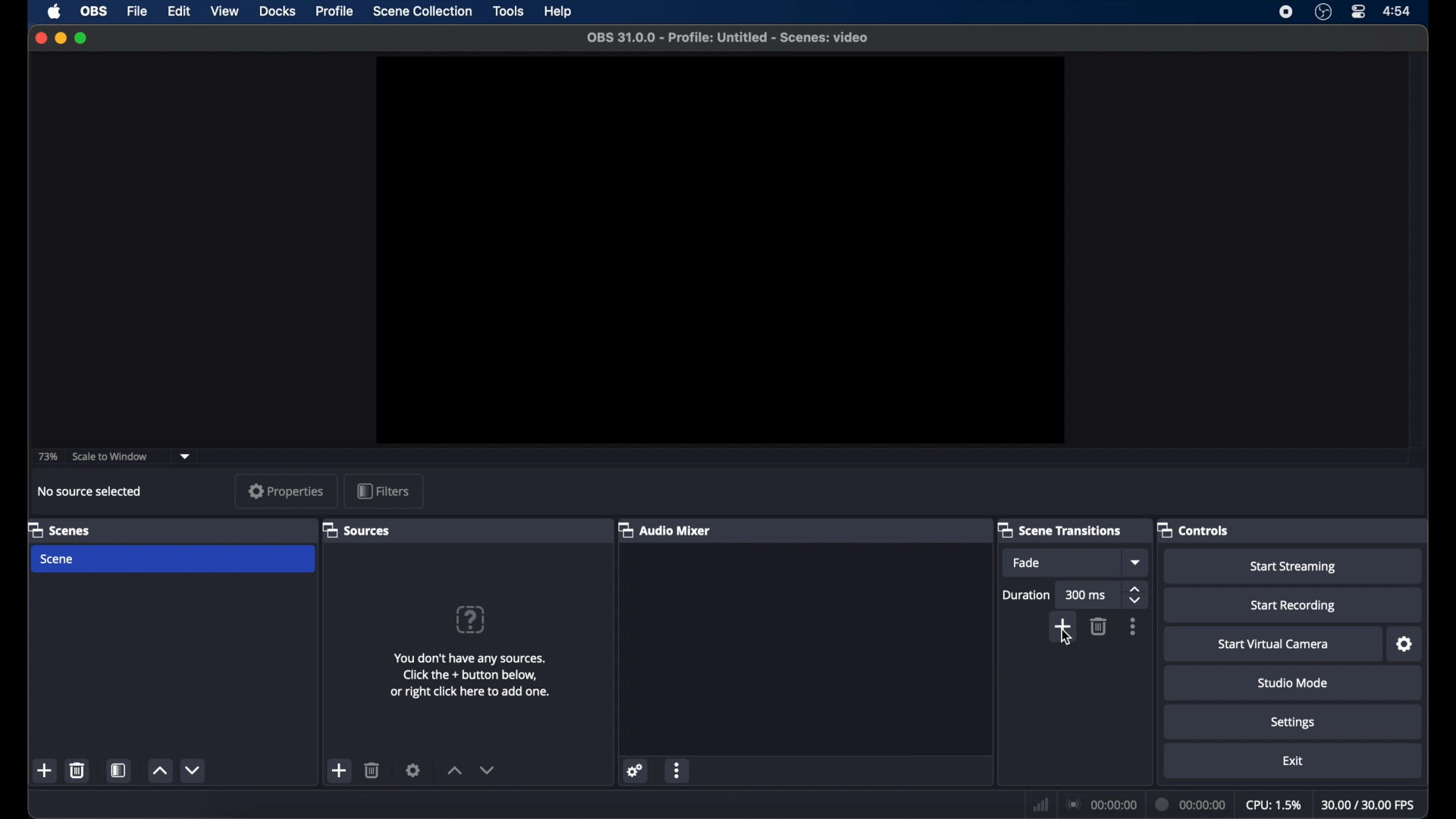 The height and width of the screenshot is (819, 1456). What do you see at coordinates (40, 38) in the screenshot?
I see `close` at bounding box center [40, 38].